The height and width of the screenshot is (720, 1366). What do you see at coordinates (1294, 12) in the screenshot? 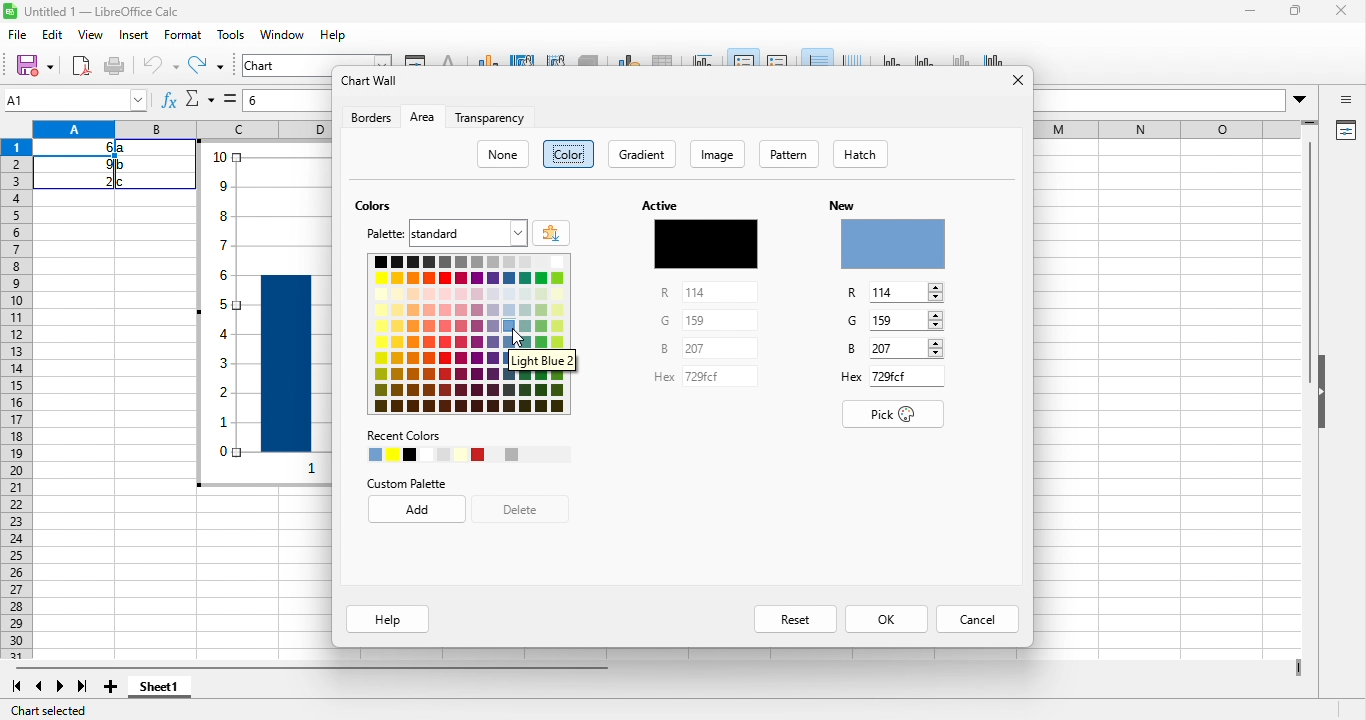
I see `maximize` at bounding box center [1294, 12].